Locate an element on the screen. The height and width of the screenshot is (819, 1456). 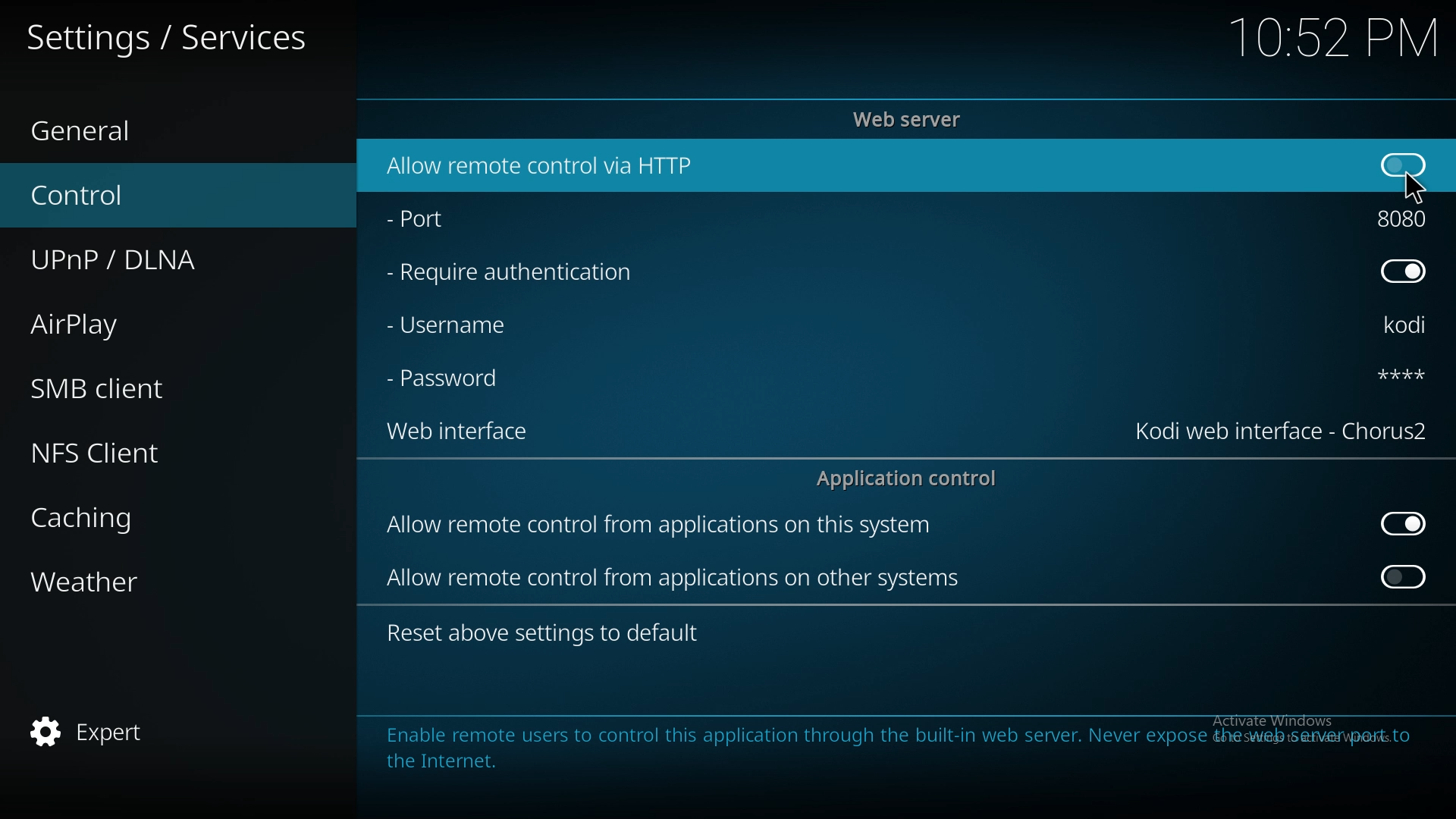
weather is located at coordinates (158, 580).